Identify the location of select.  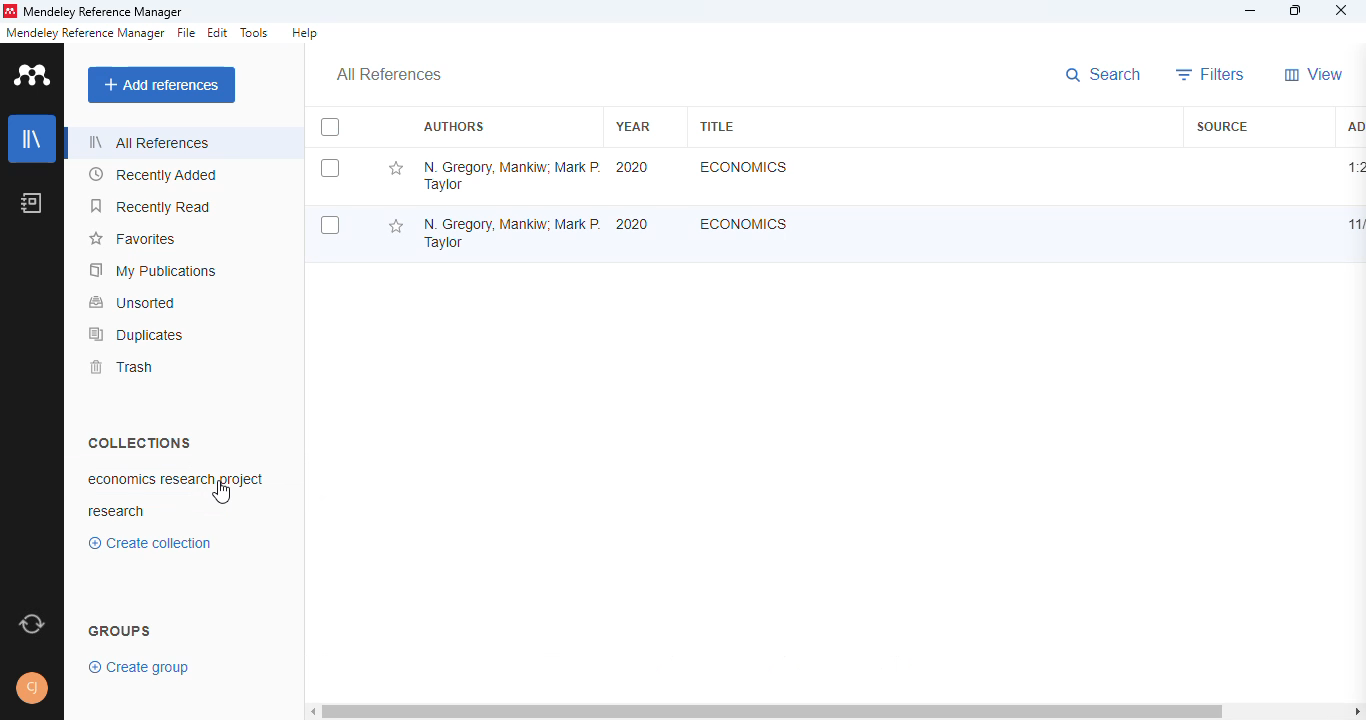
(330, 128).